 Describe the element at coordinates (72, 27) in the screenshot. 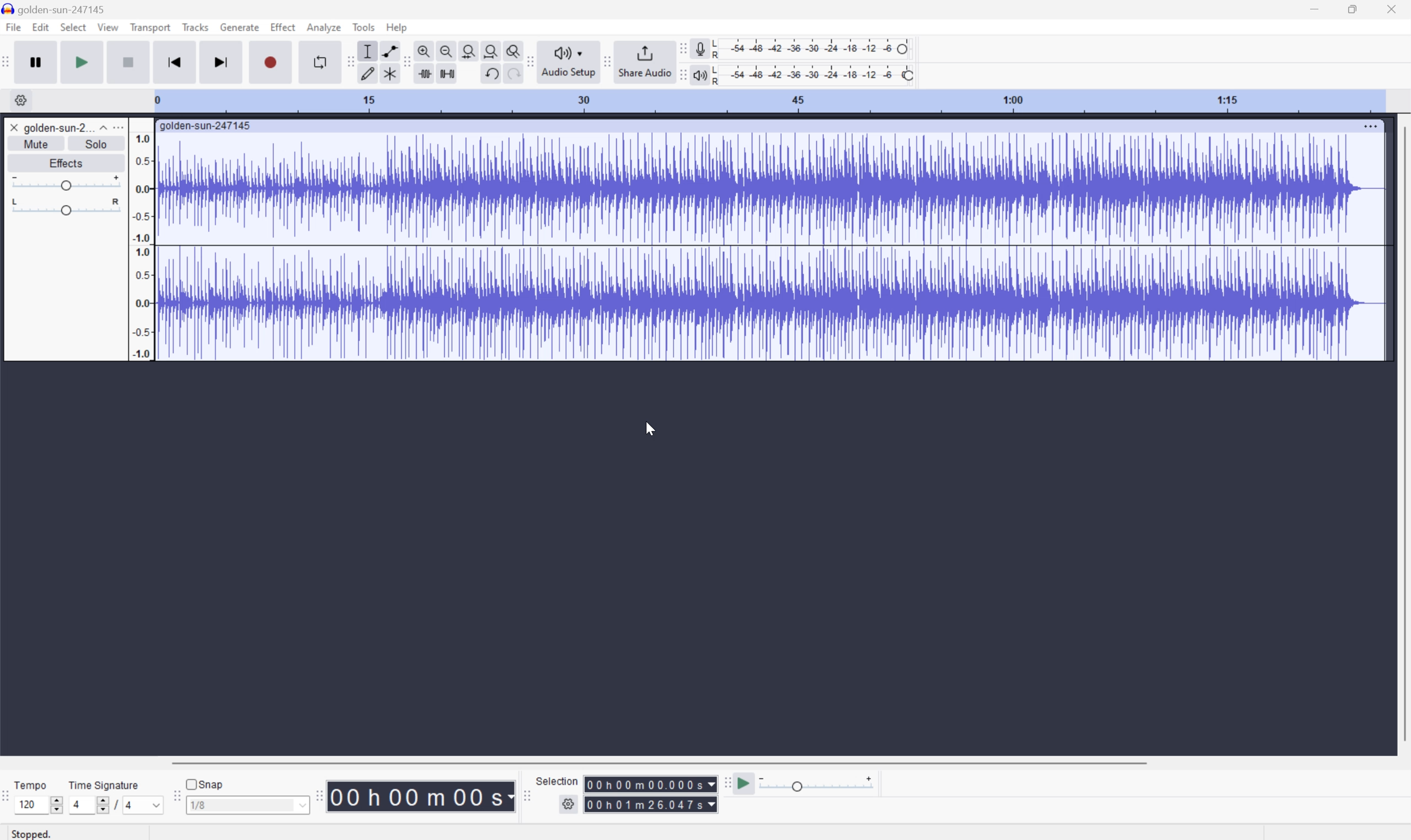

I see `Select` at that location.